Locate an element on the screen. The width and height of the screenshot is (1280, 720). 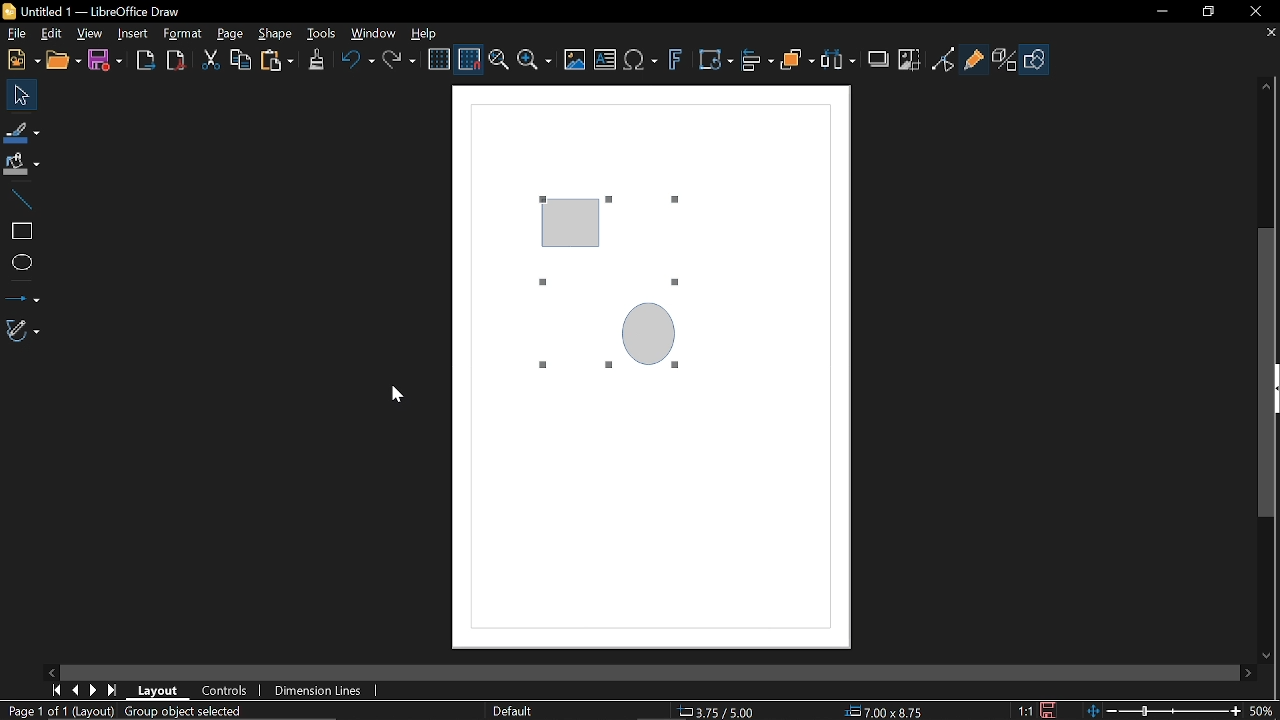
Select at least three object to distribute is located at coordinates (839, 62).